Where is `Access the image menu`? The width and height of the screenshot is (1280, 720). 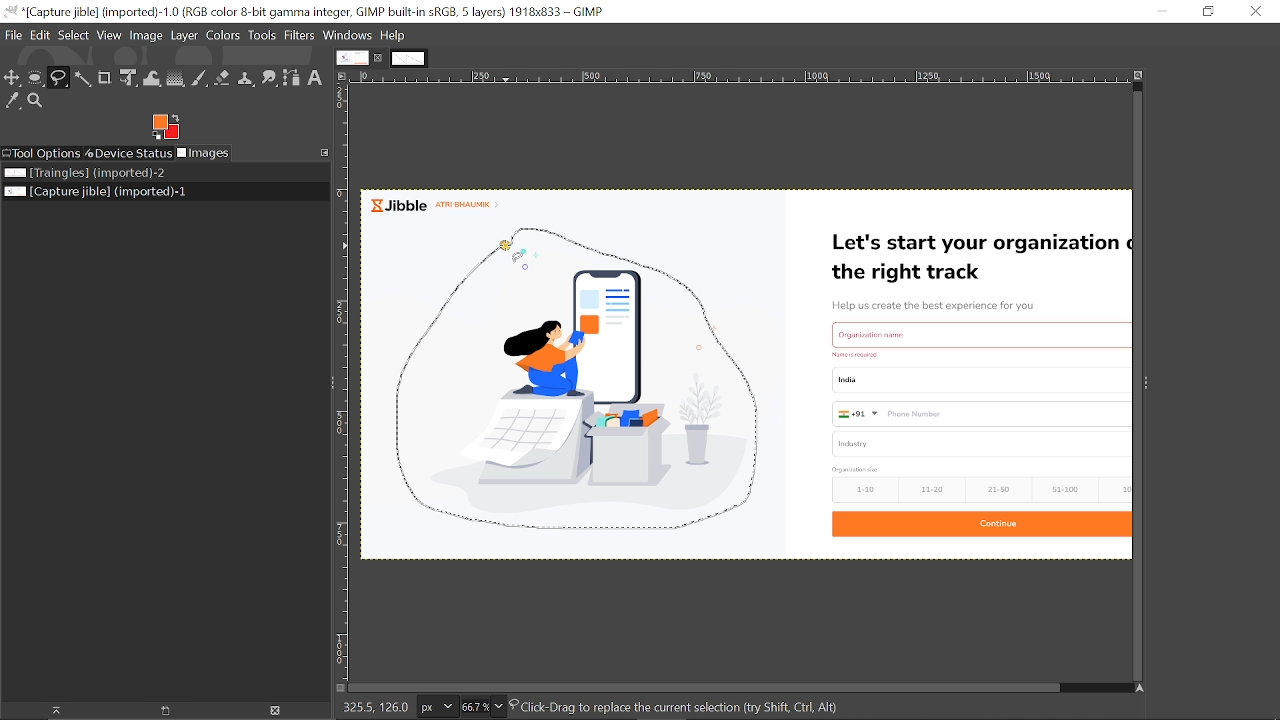 Access the image menu is located at coordinates (344, 77).